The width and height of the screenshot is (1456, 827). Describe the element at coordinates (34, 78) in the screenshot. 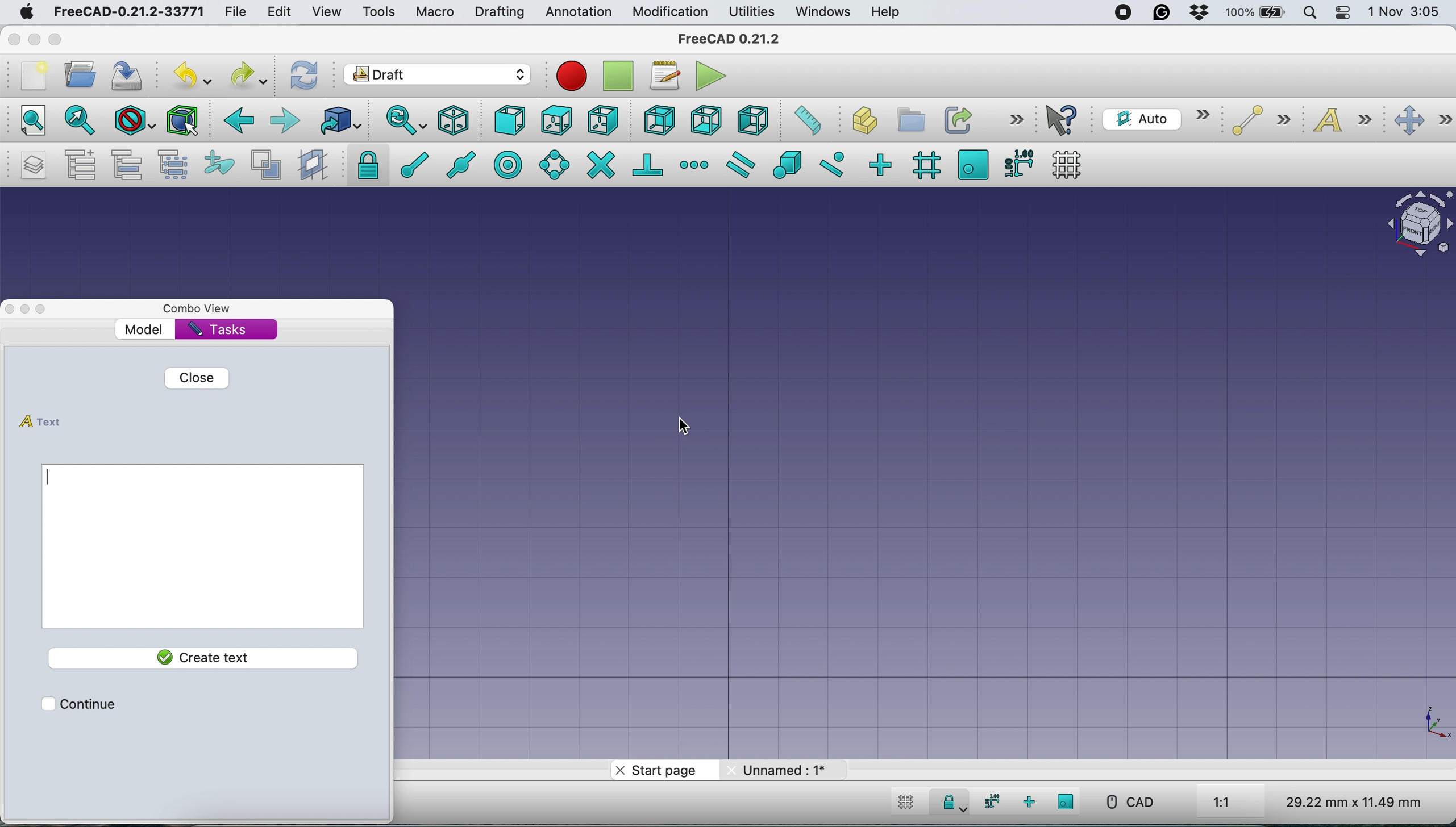

I see `new` at that location.